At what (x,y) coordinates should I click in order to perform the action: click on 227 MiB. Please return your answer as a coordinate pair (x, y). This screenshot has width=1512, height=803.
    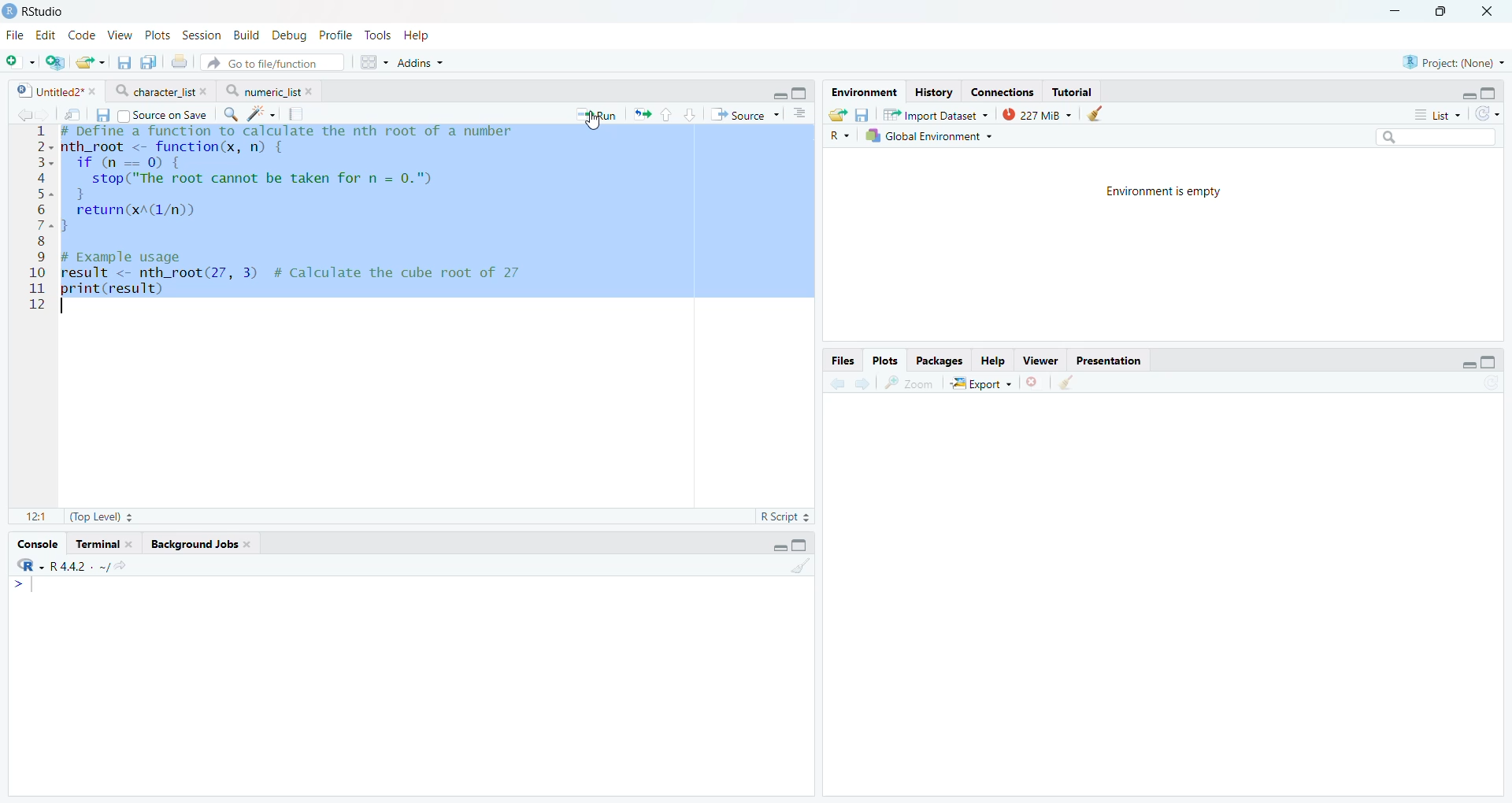
    Looking at the image, I should click on (1034, 113).